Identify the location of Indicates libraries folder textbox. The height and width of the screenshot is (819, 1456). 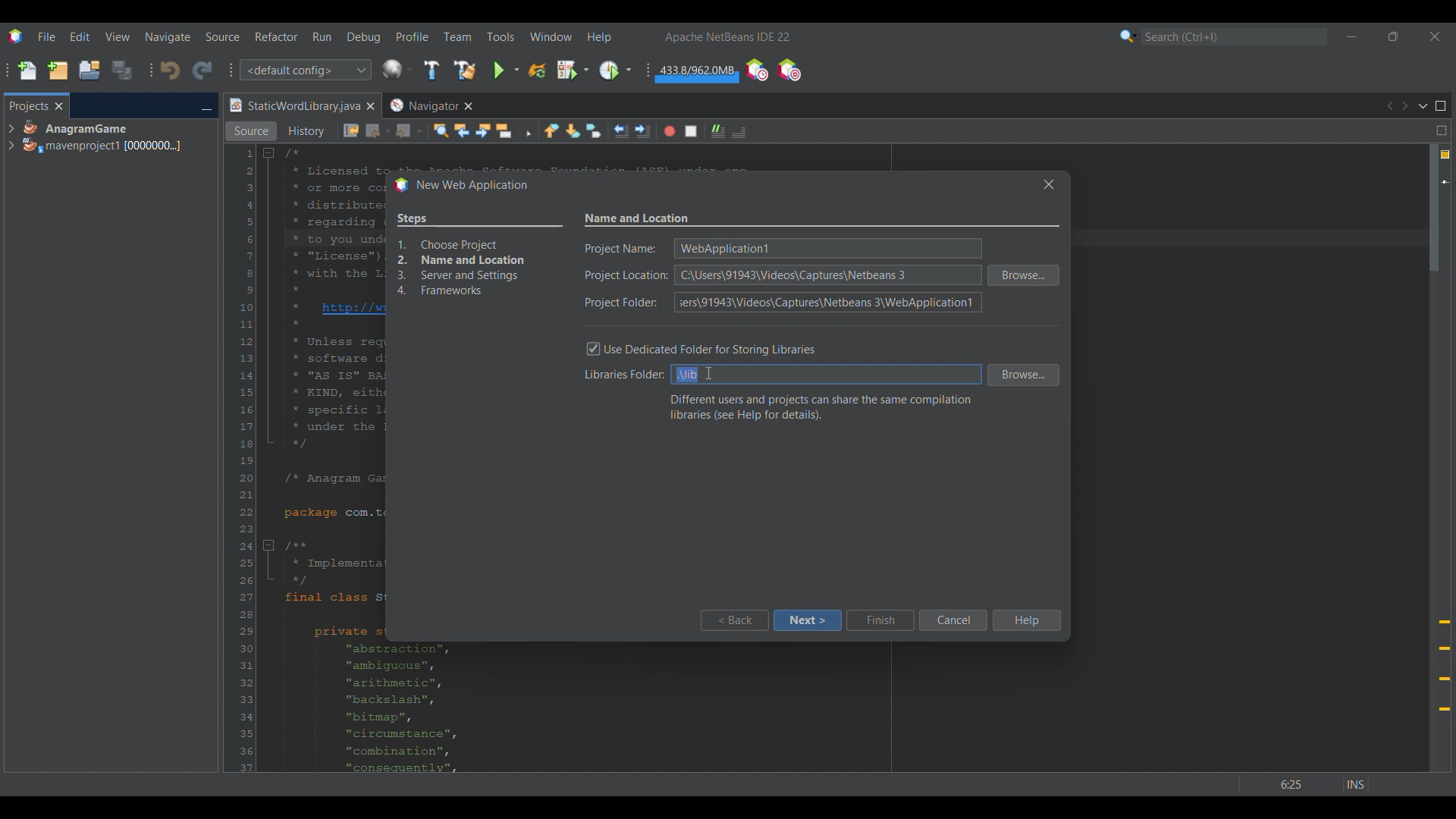
(621, 376).